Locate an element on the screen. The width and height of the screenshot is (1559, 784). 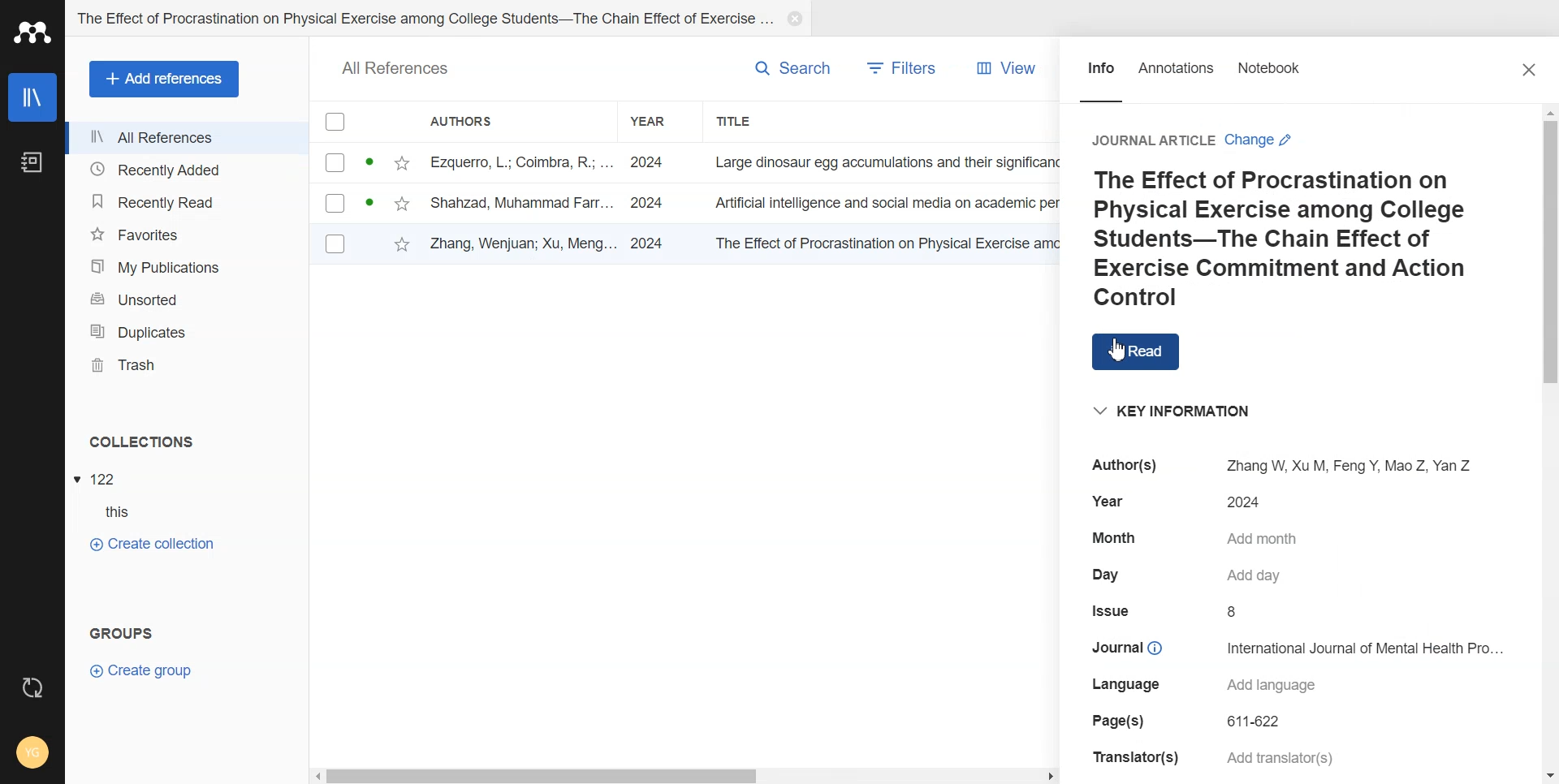
Issue 8 is located at coordinates (1168, 611).